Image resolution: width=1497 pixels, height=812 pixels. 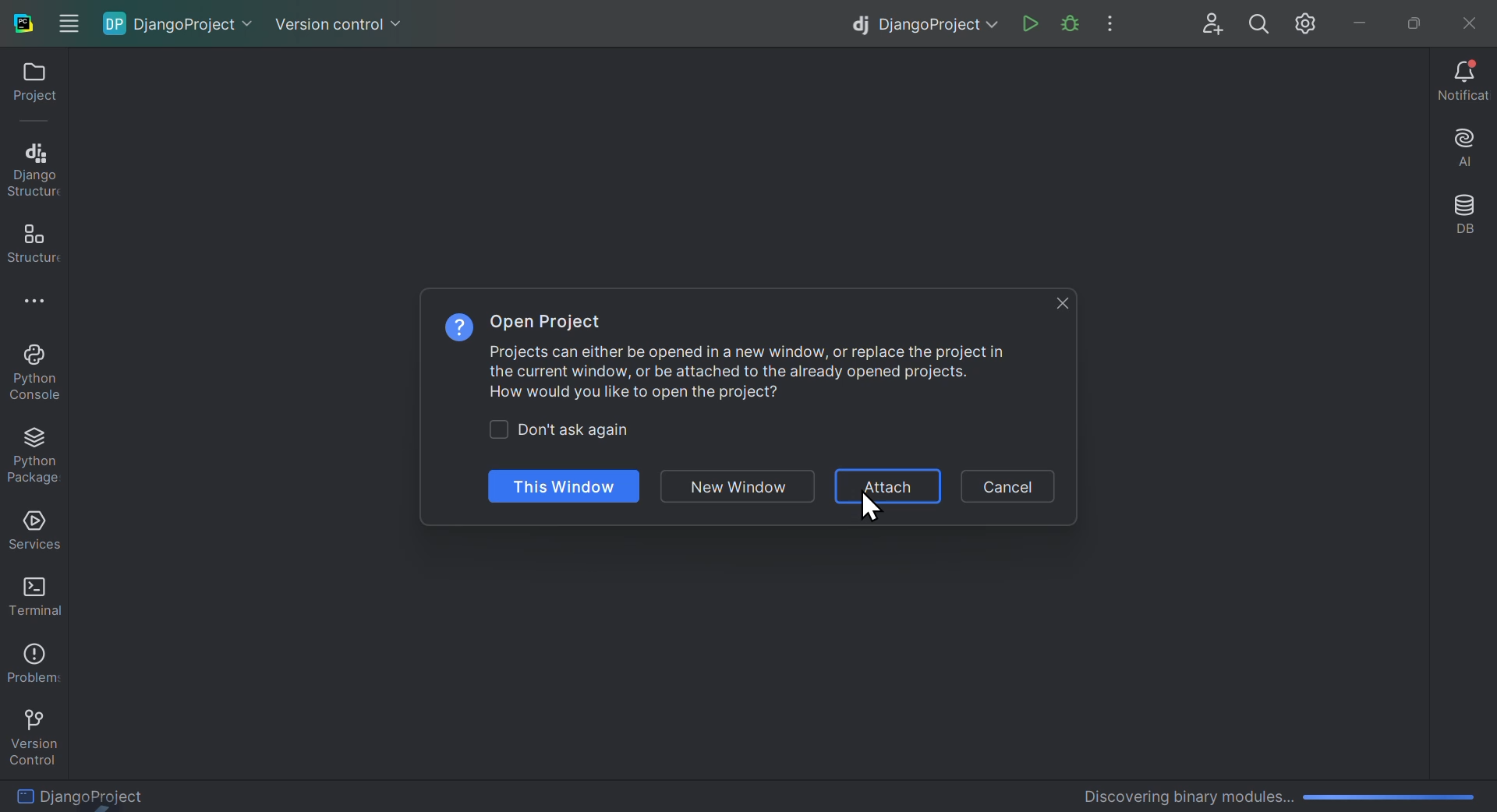 What do you see at coordinates (575, 430) in the screenshot?
I see `Don't ask again` at bounding box center [575, 430].